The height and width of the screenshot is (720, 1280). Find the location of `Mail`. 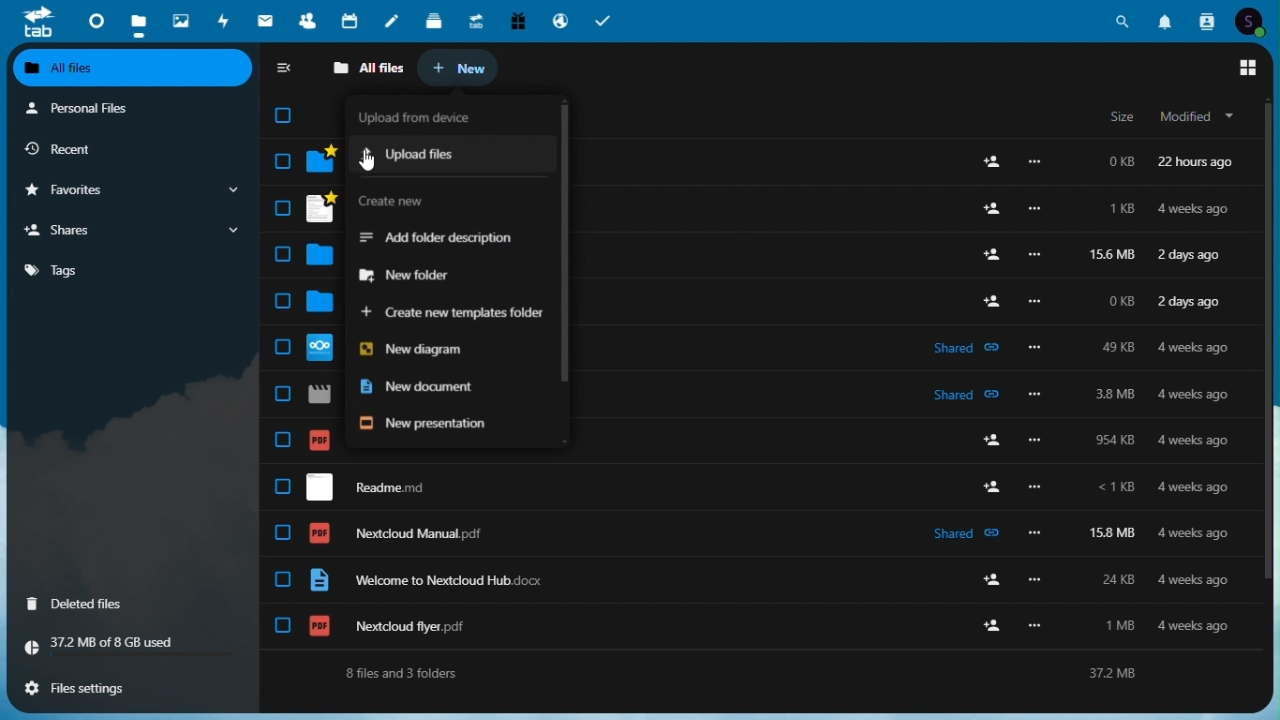

Mail is located at coordinates (264, 20).